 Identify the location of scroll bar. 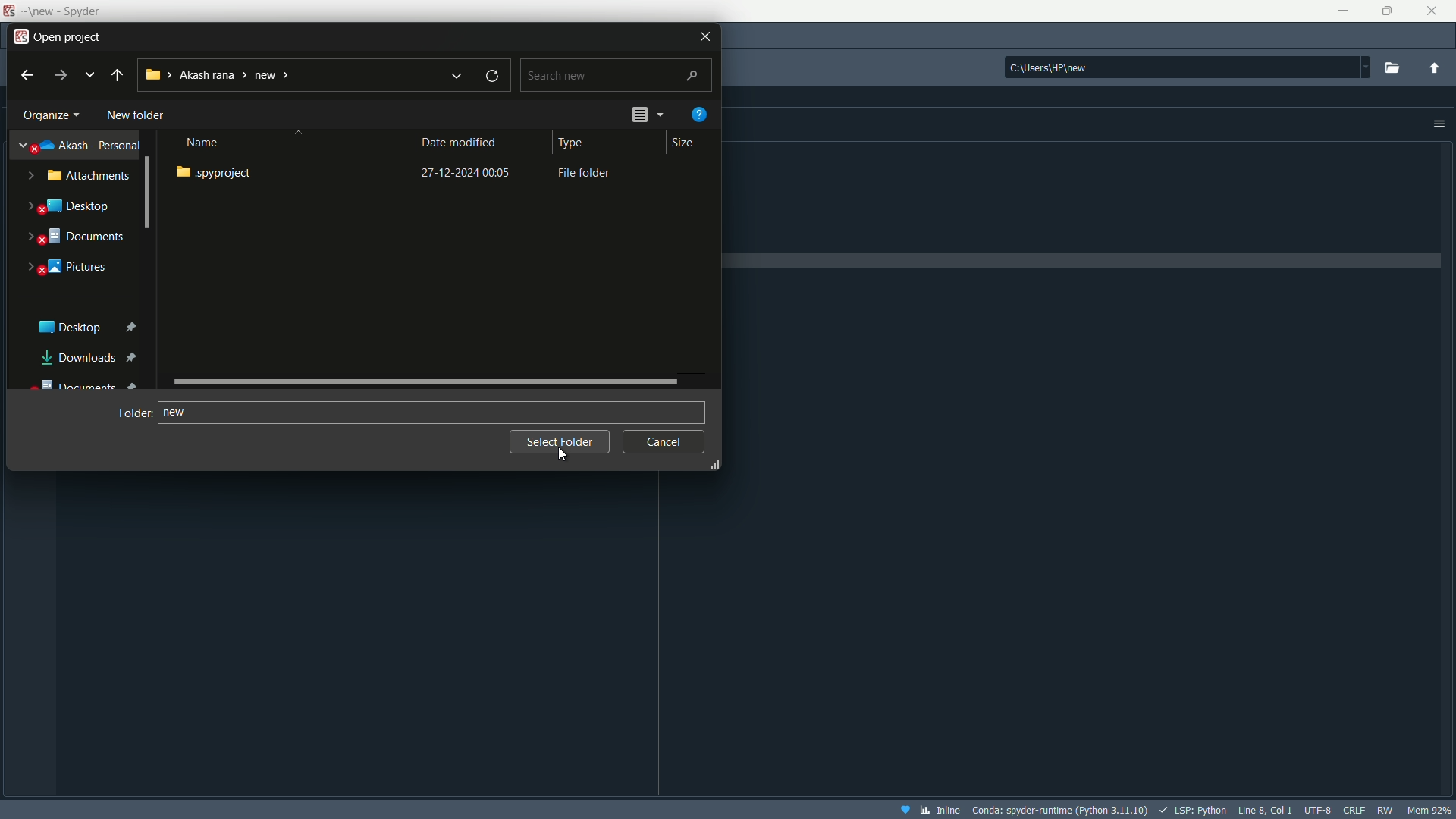
(716, 281).